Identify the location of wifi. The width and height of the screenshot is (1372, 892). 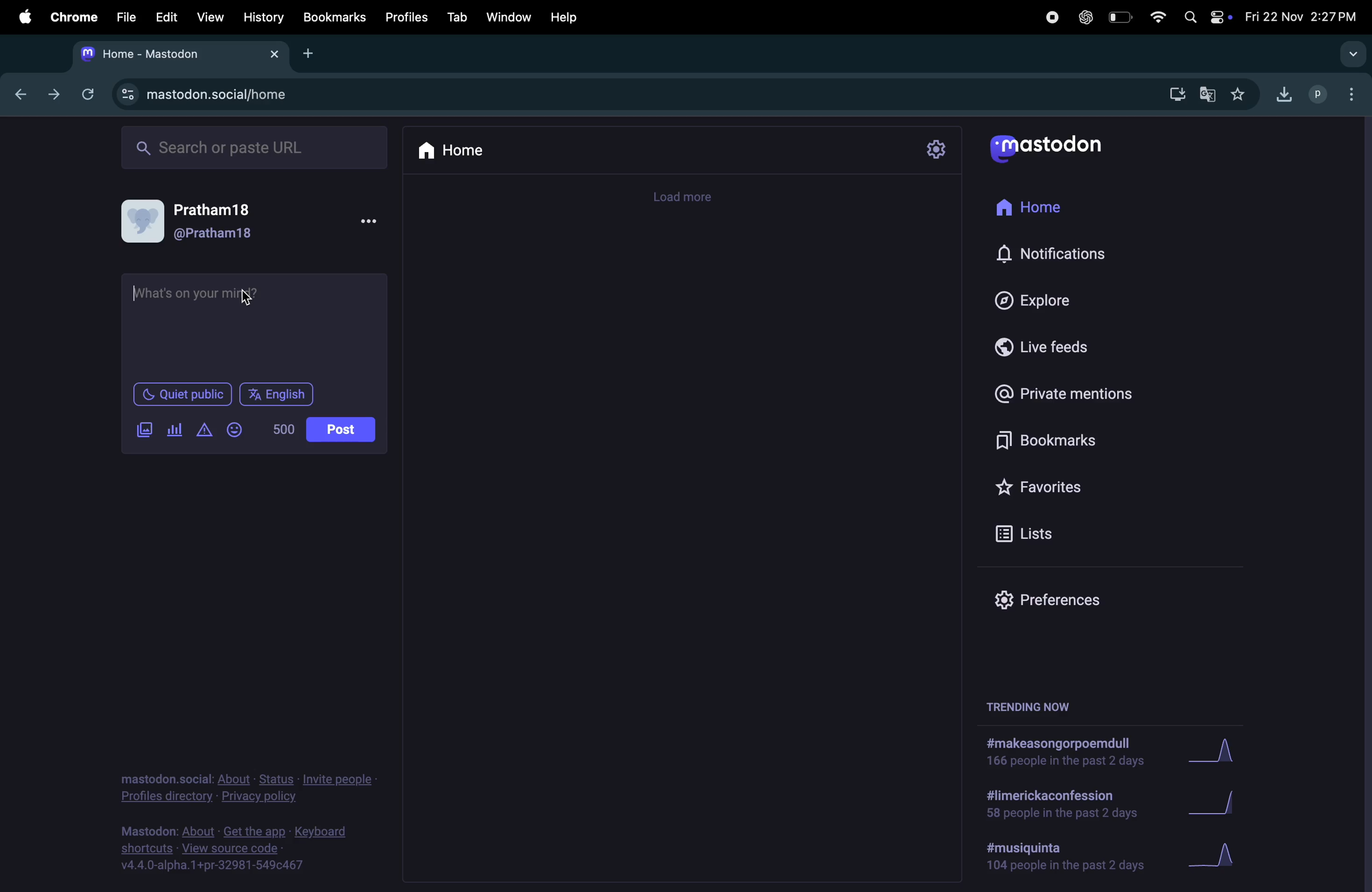
(1159, 18).